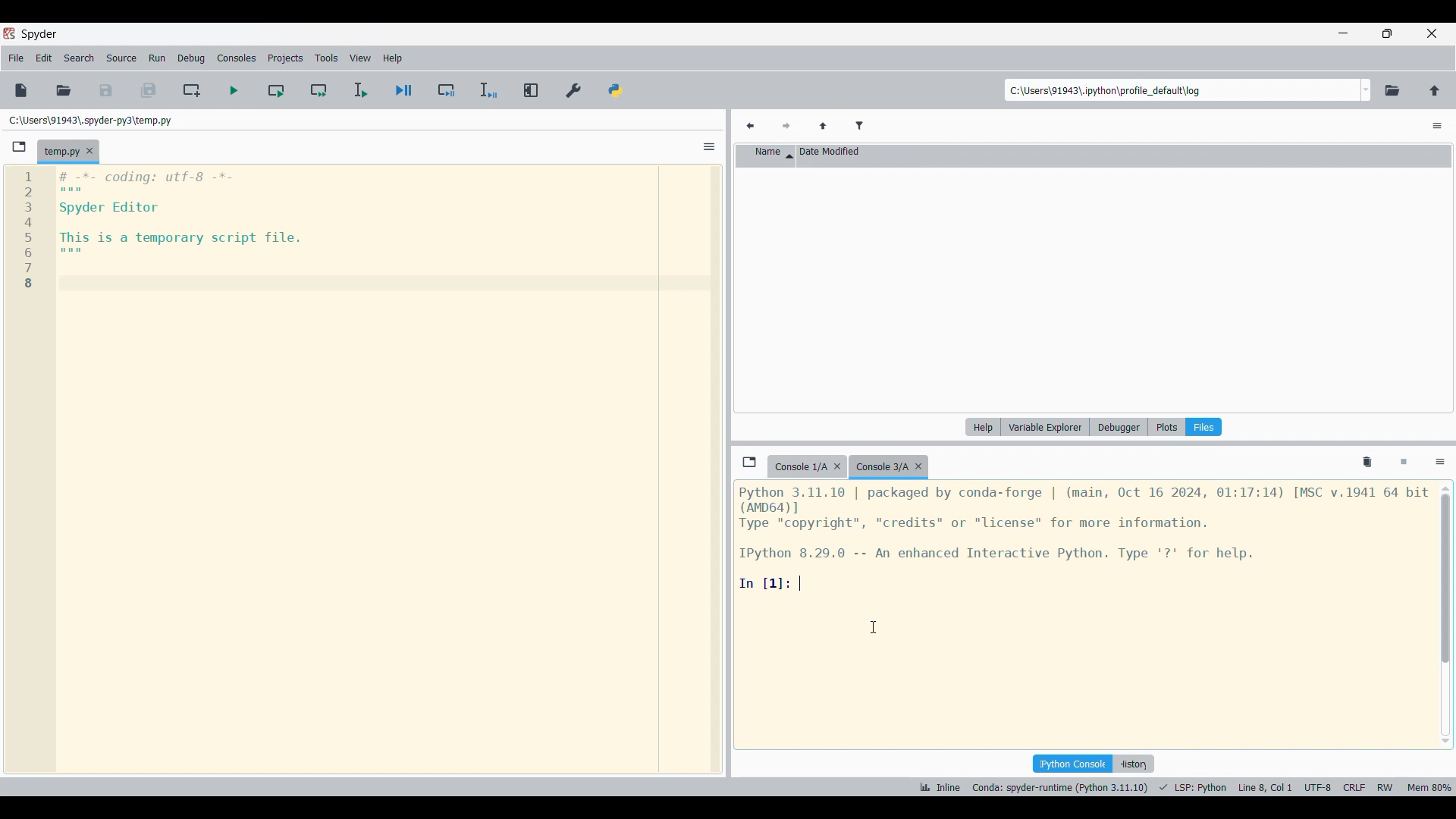 The height and width of the screenshot is (819, 1456). Describe the element at coordinates (44, 58) in the screenshot. I see `Edit menu` at that location.